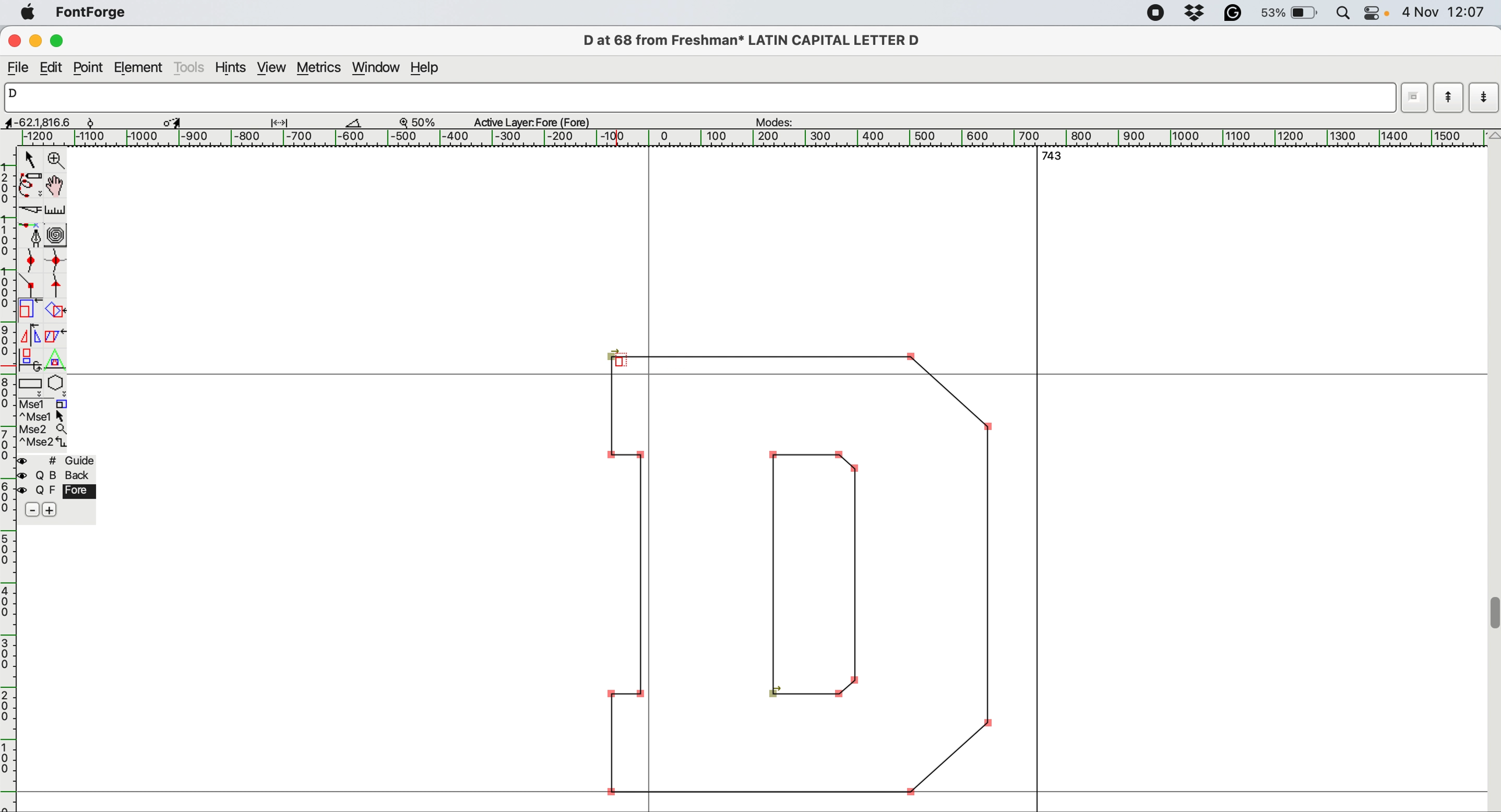 Image resolution: width=1501 pixels, height=812 pixels. Describe the element at coordinates (190, 68) in the screenshot. I see `tools` at that location.